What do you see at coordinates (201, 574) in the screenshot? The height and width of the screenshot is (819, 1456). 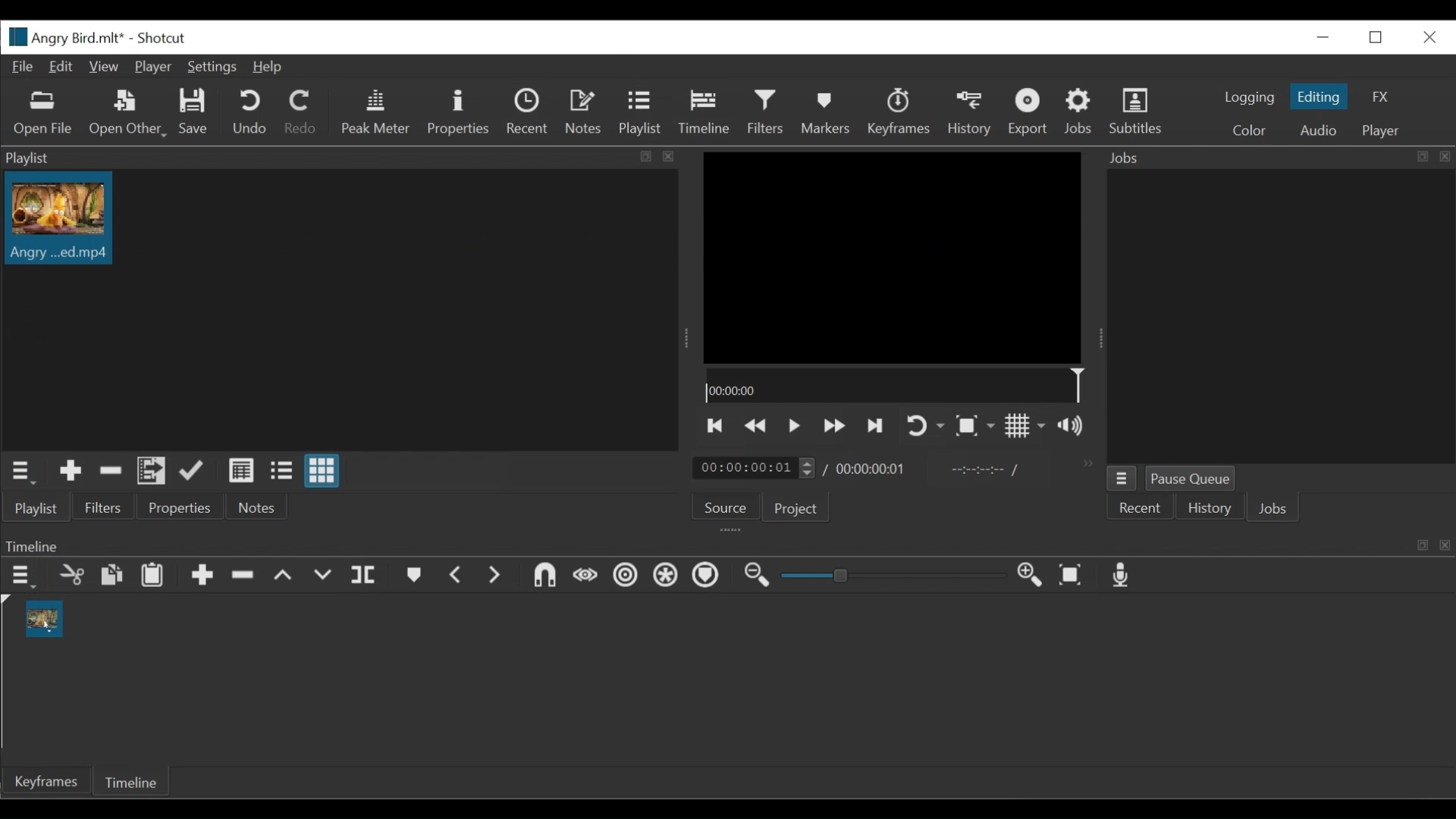 I see `Append` at bounding box center [201, 574].